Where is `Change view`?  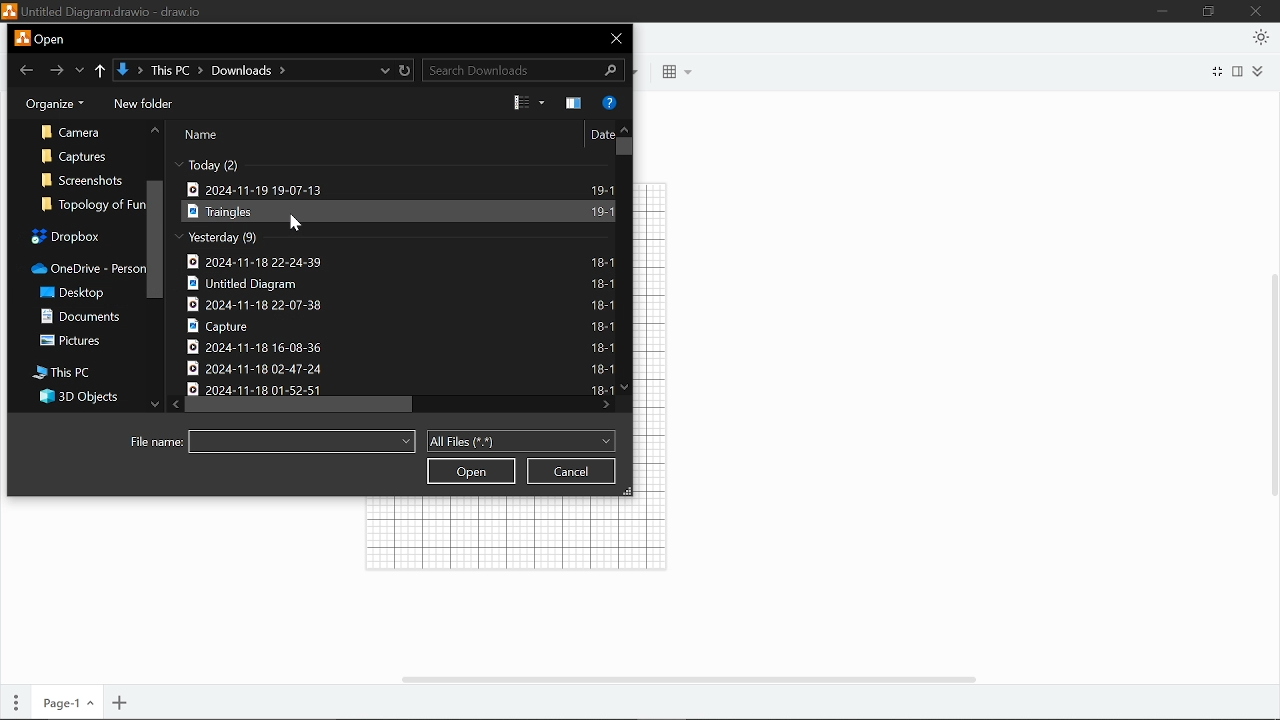
Change view is located at coordinates (519, 102).